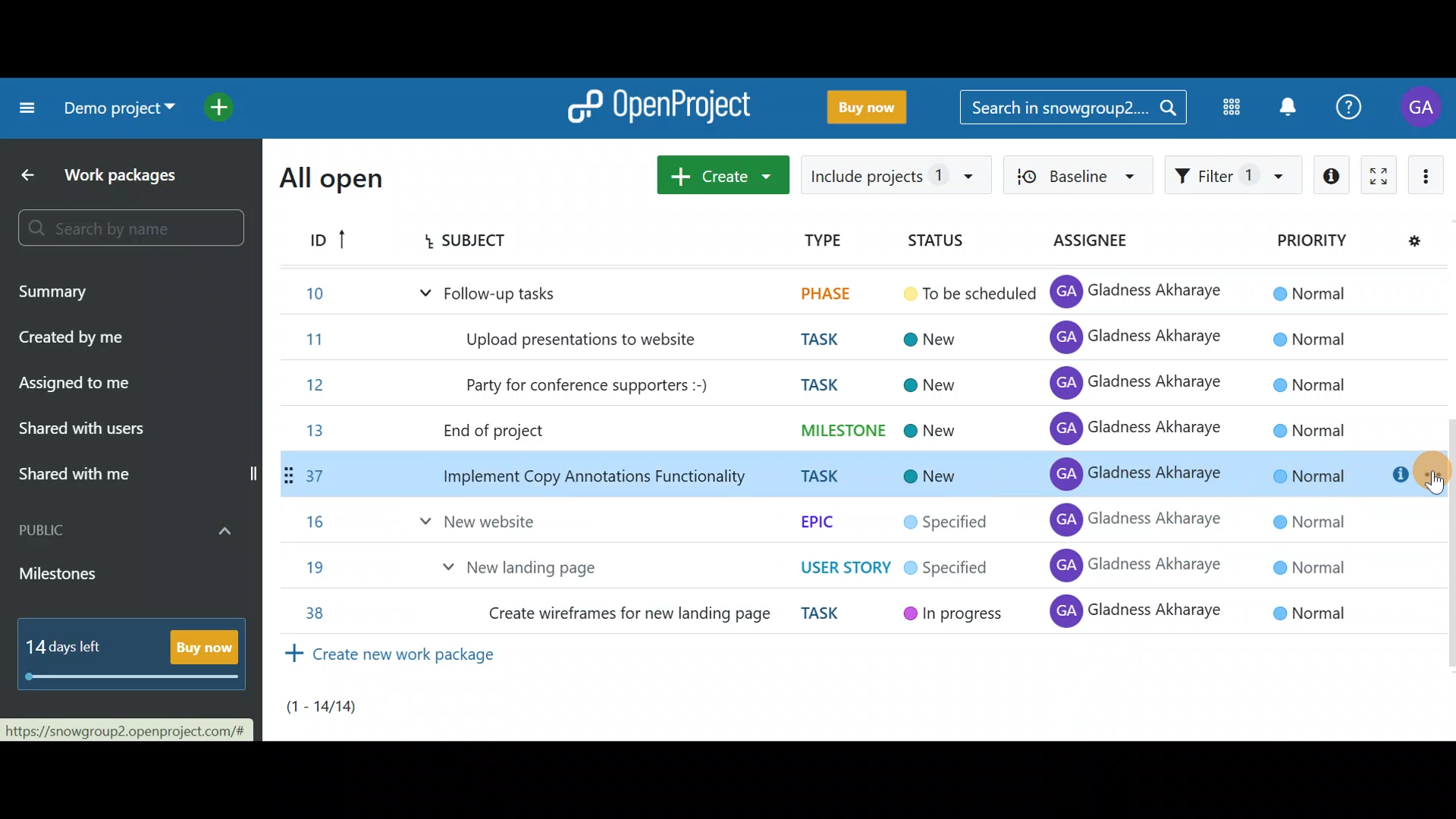 The width and height of the screenshot is (1456, 819). I want to click on GA Gladness Akharaye, so click(1136, 565).